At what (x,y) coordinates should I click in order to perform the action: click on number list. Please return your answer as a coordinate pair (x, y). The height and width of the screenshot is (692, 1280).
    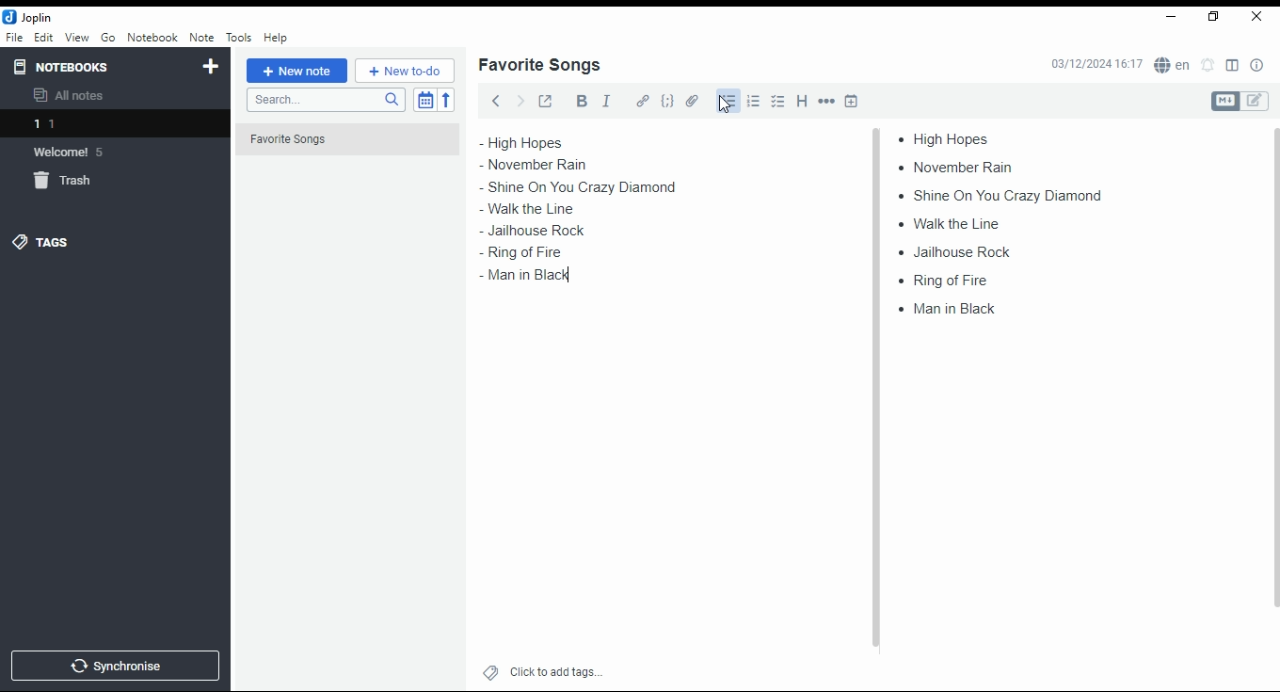
    Looking at the image, I should click on (754, 100).